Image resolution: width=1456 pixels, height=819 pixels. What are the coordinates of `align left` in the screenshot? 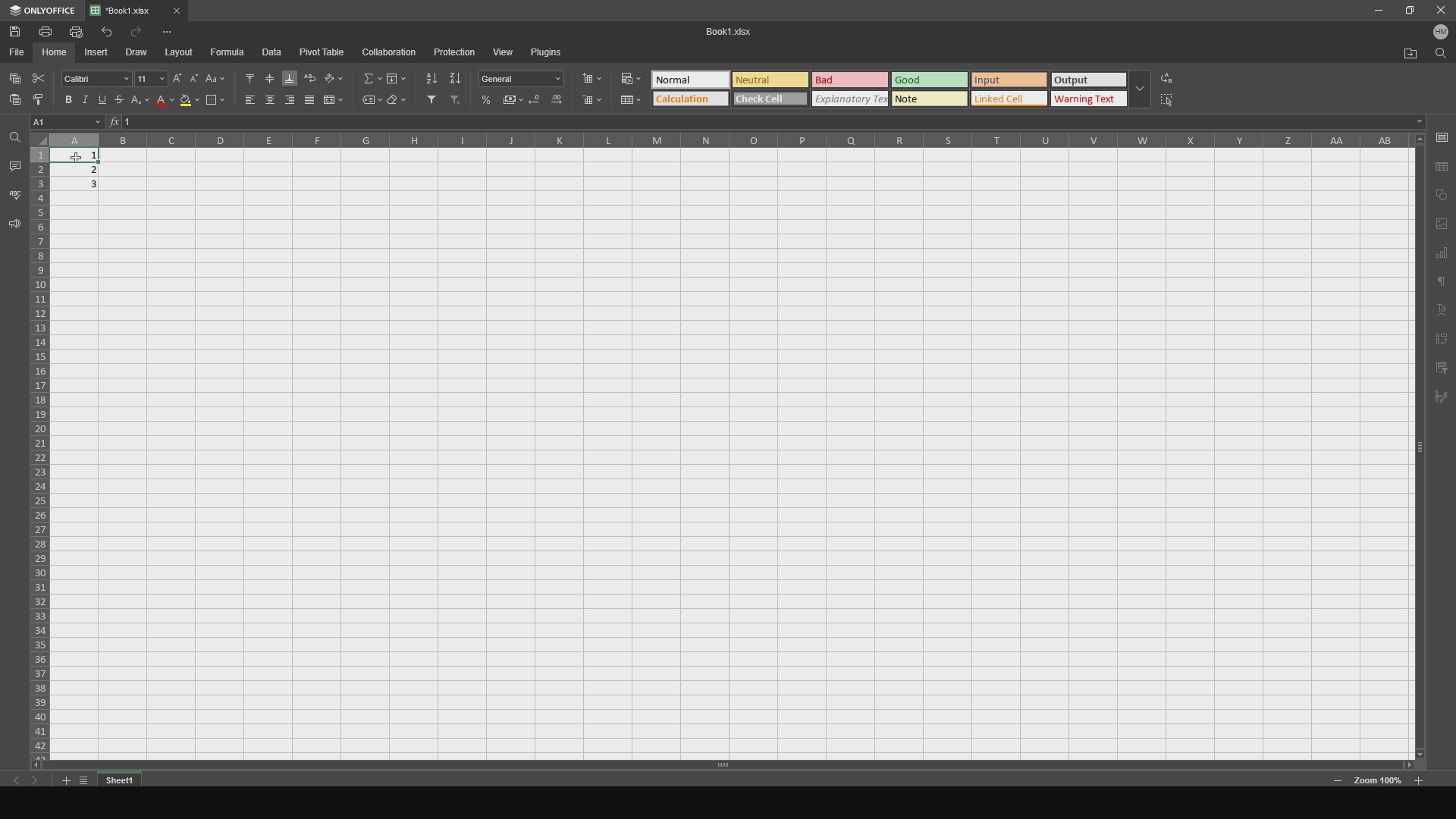 It's located at (244, 102).